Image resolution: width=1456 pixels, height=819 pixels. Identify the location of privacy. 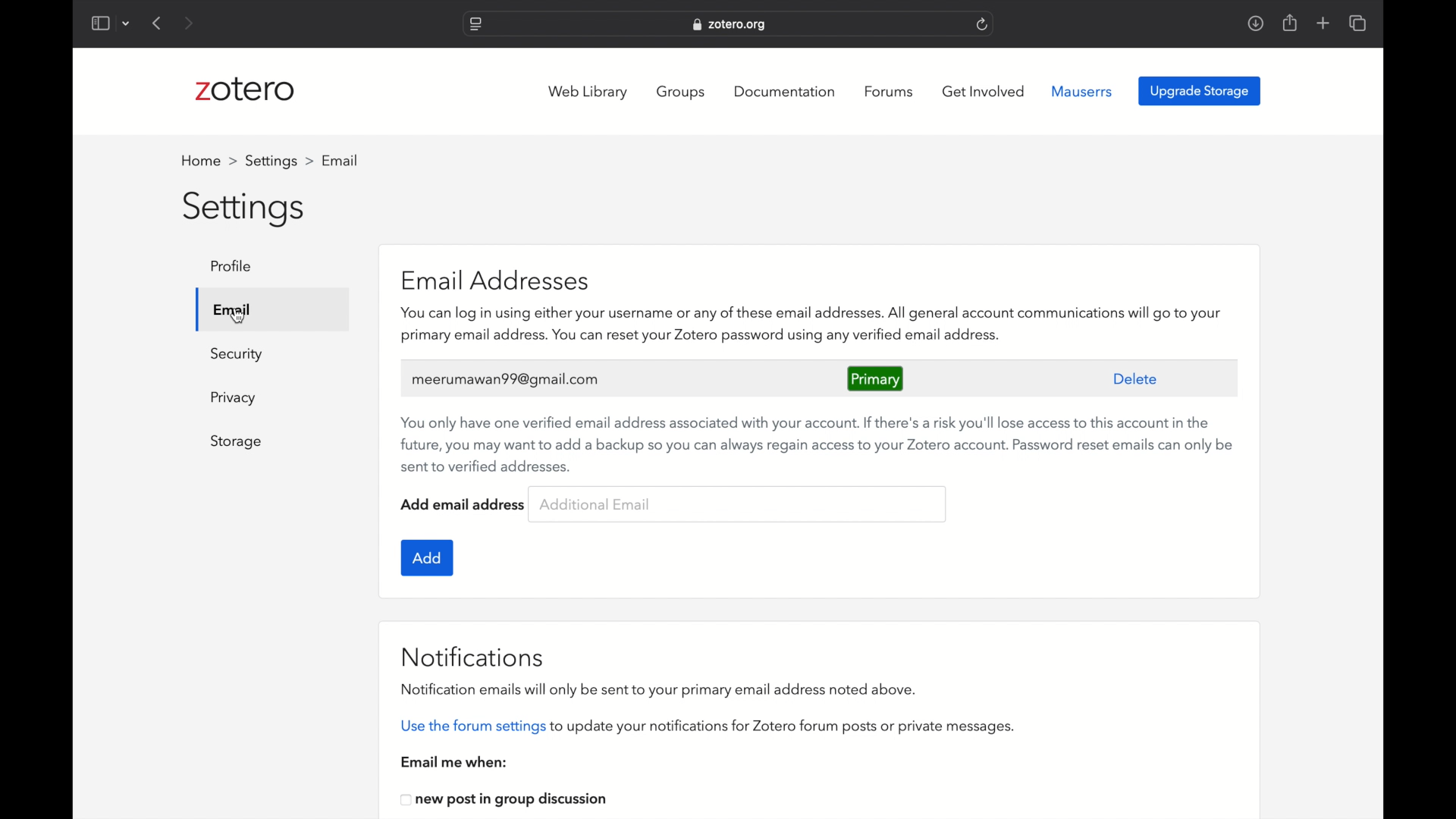
(235, 398).